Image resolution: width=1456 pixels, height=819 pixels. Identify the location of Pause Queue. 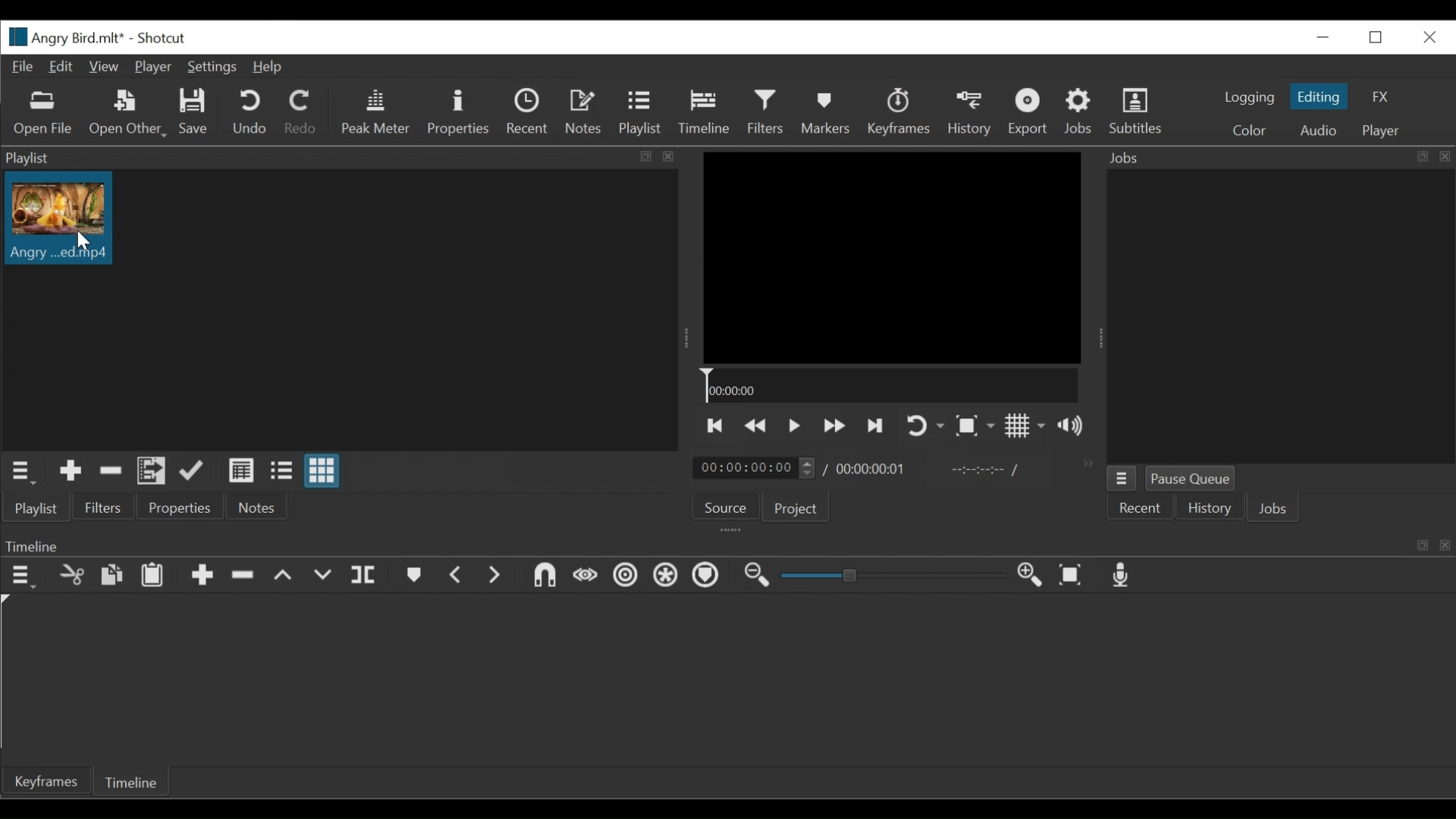
(1191, 479).